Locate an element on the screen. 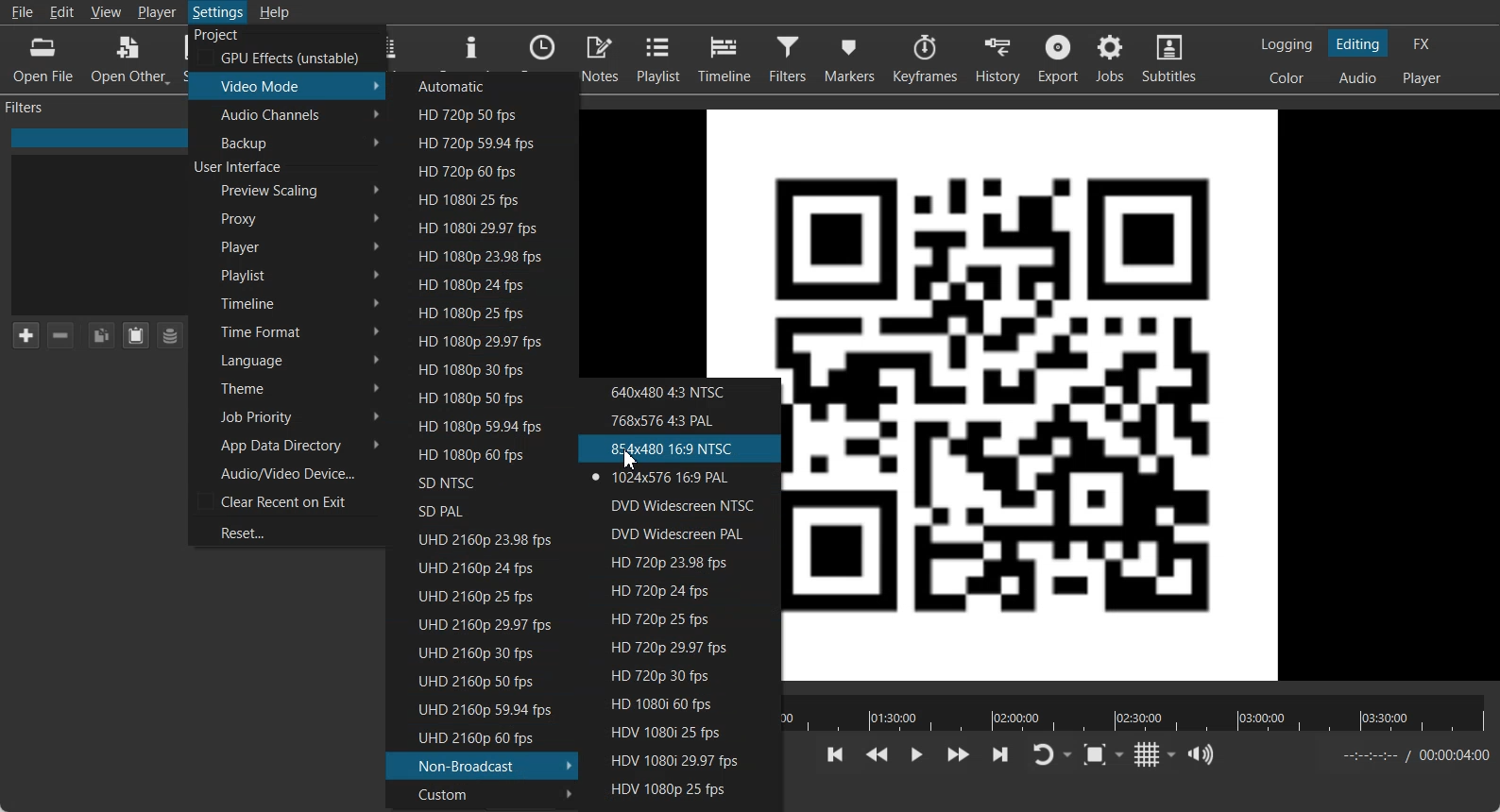 The width and height of the screenshot is (1500, 812). Open Other is located at coordinates (130, 58).